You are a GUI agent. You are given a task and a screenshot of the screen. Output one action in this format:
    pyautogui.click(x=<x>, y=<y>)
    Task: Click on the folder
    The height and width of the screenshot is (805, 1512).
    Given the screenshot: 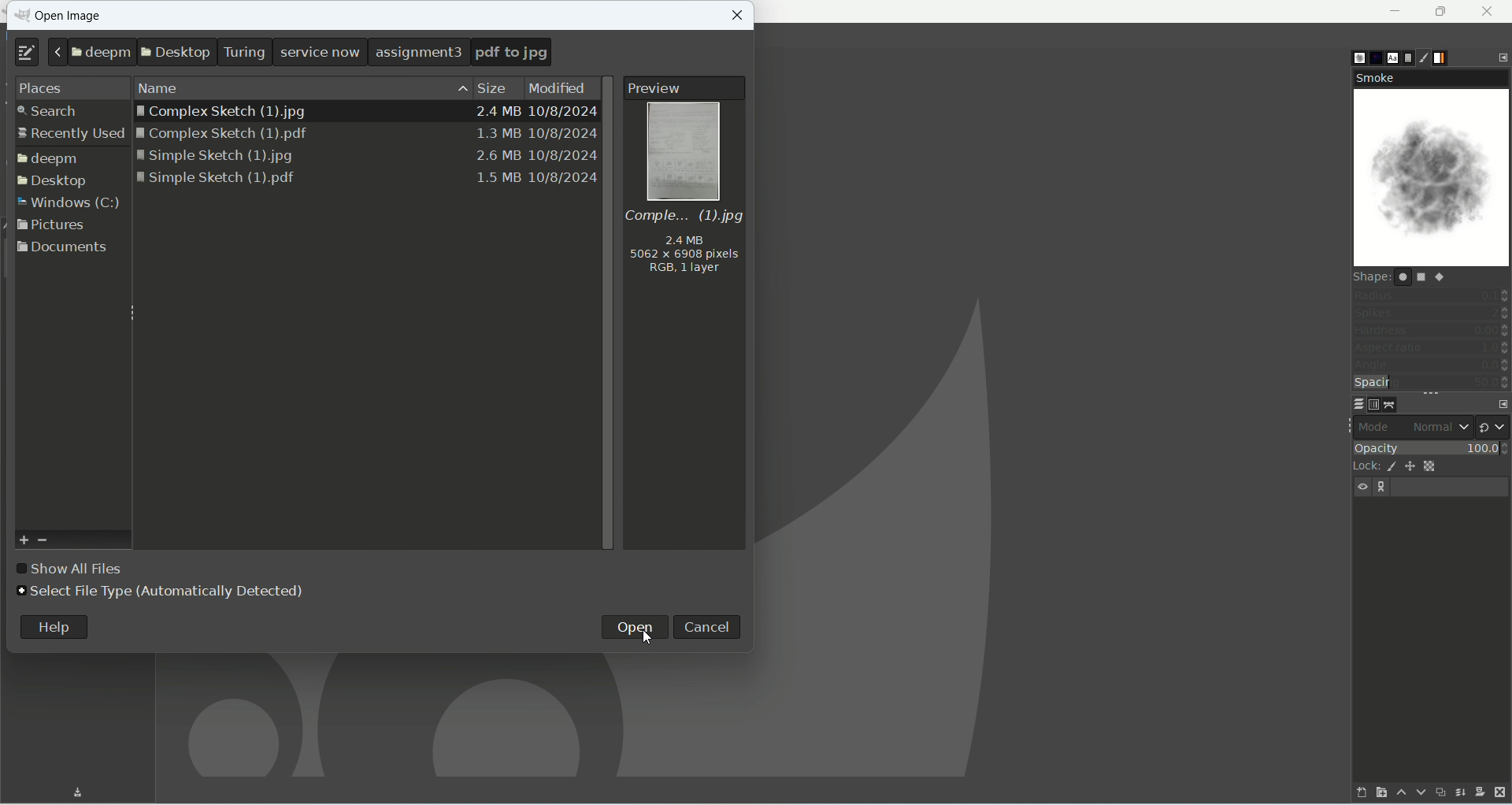 What is the action you would take?
    pyautogui.click(x=50, y=159)
    